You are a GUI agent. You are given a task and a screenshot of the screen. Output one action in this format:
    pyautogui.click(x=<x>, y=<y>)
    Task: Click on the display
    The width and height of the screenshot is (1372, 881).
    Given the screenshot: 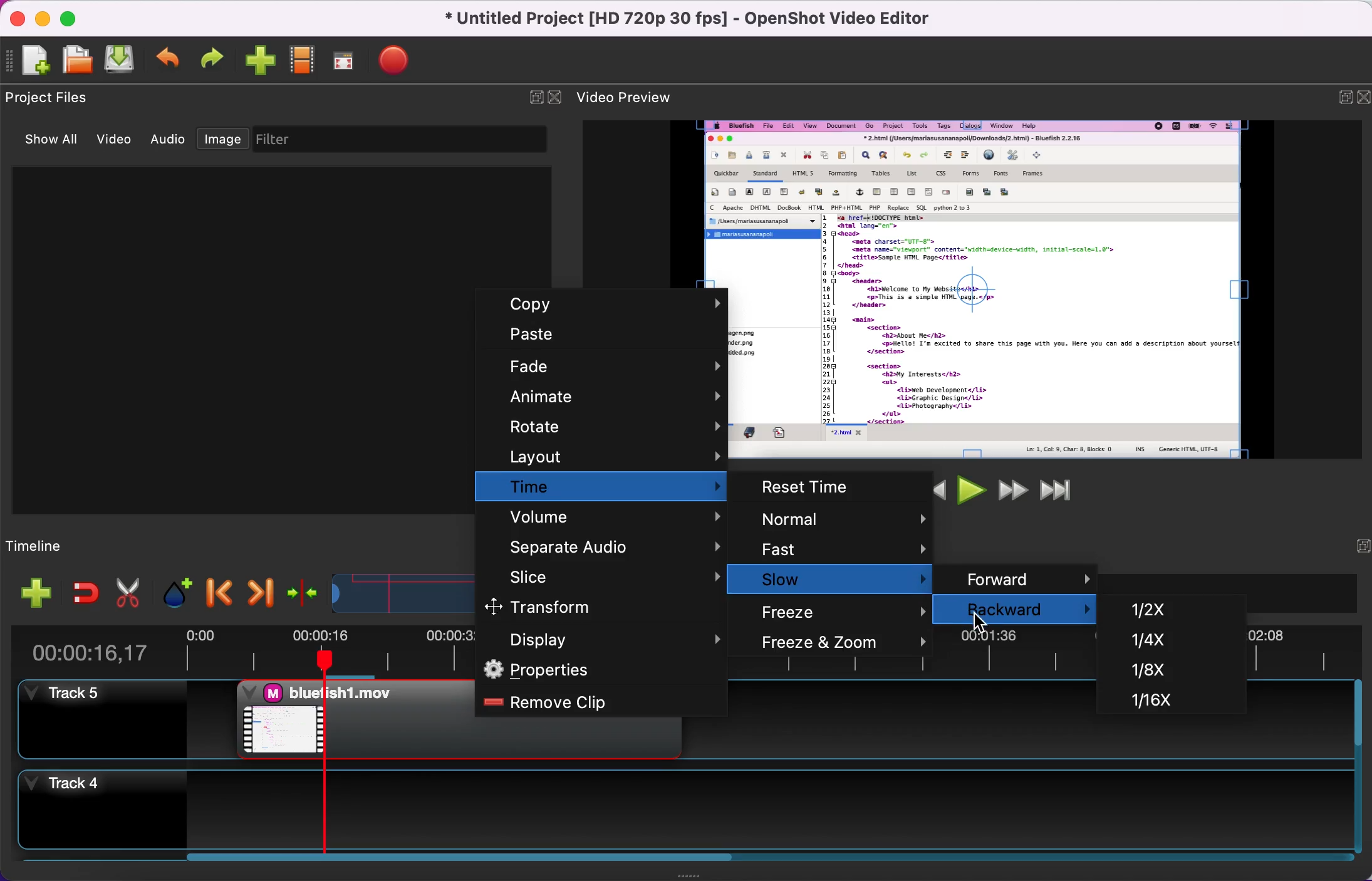 What is the action you would take?
    pyautogui.click(x=601, y=638)
    